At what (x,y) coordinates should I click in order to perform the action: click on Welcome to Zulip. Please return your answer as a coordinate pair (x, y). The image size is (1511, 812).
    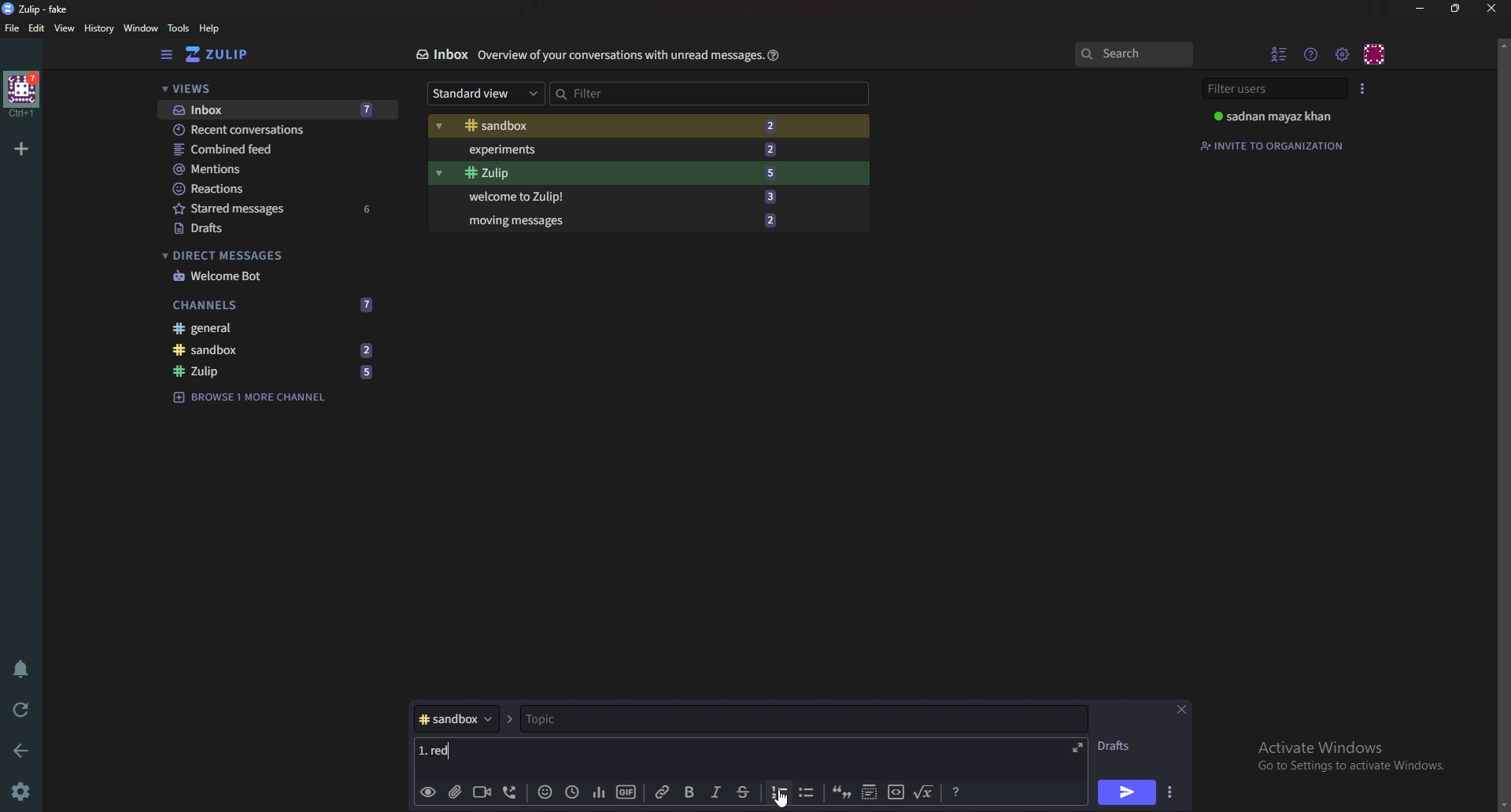
    Looking at the image, I should click on (618, 197).